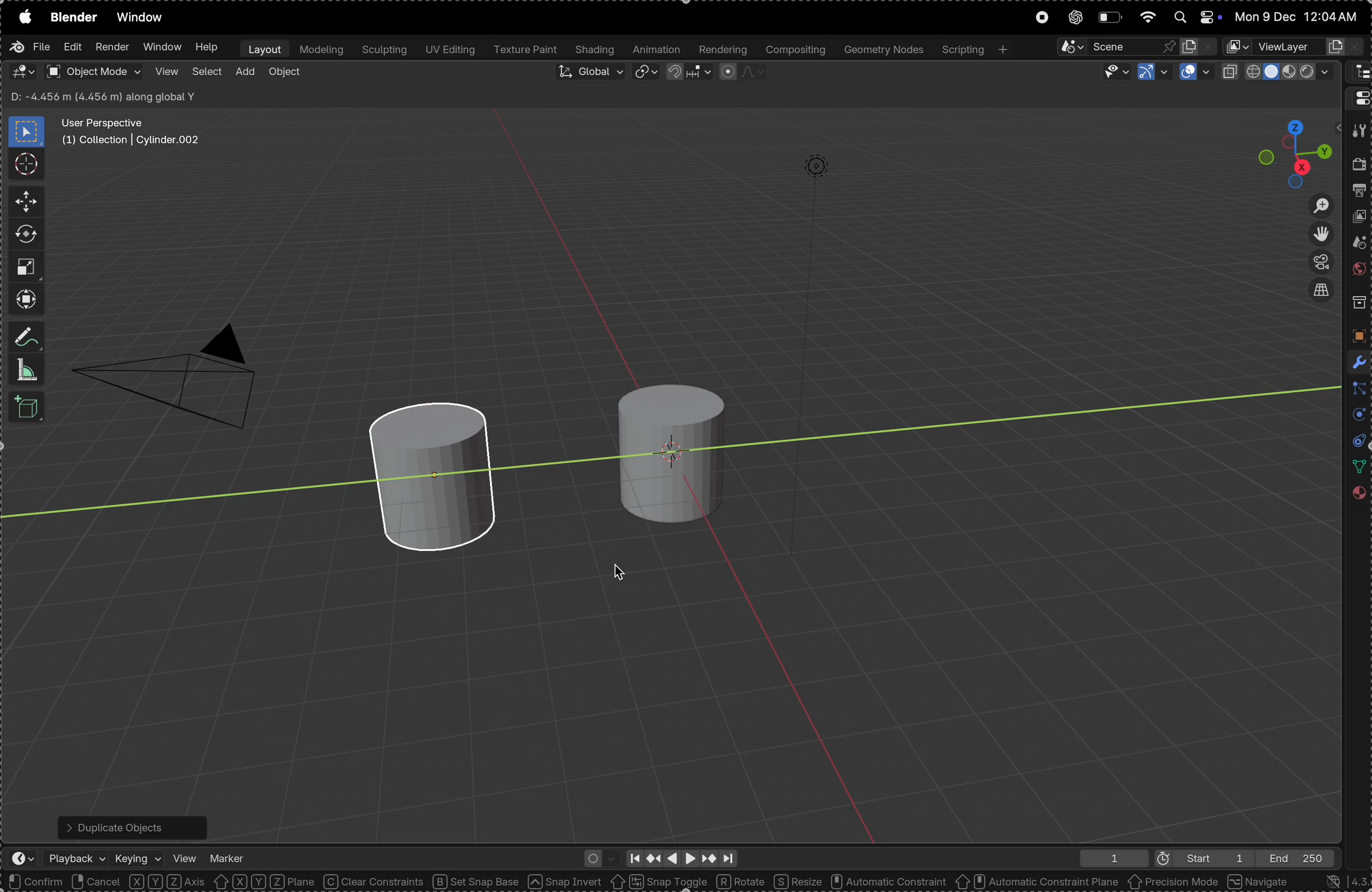 The height and width of the screenshot is (892, 1372). What do you see at coordinates (25, 163) in the screenshot?
I see `cursor` at bounding box center [25, 163].